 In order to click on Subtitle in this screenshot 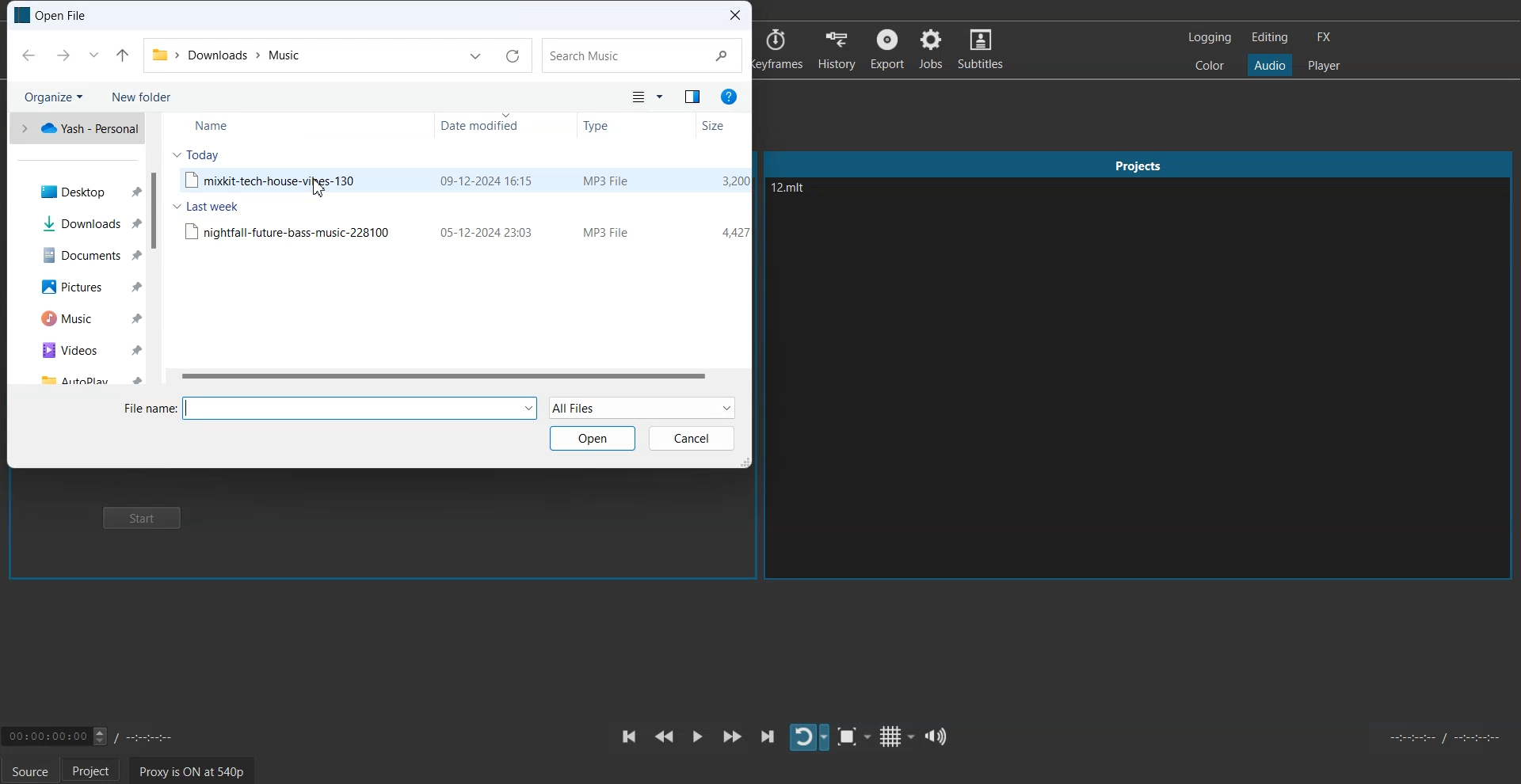, I will do `click(982, 48)`.